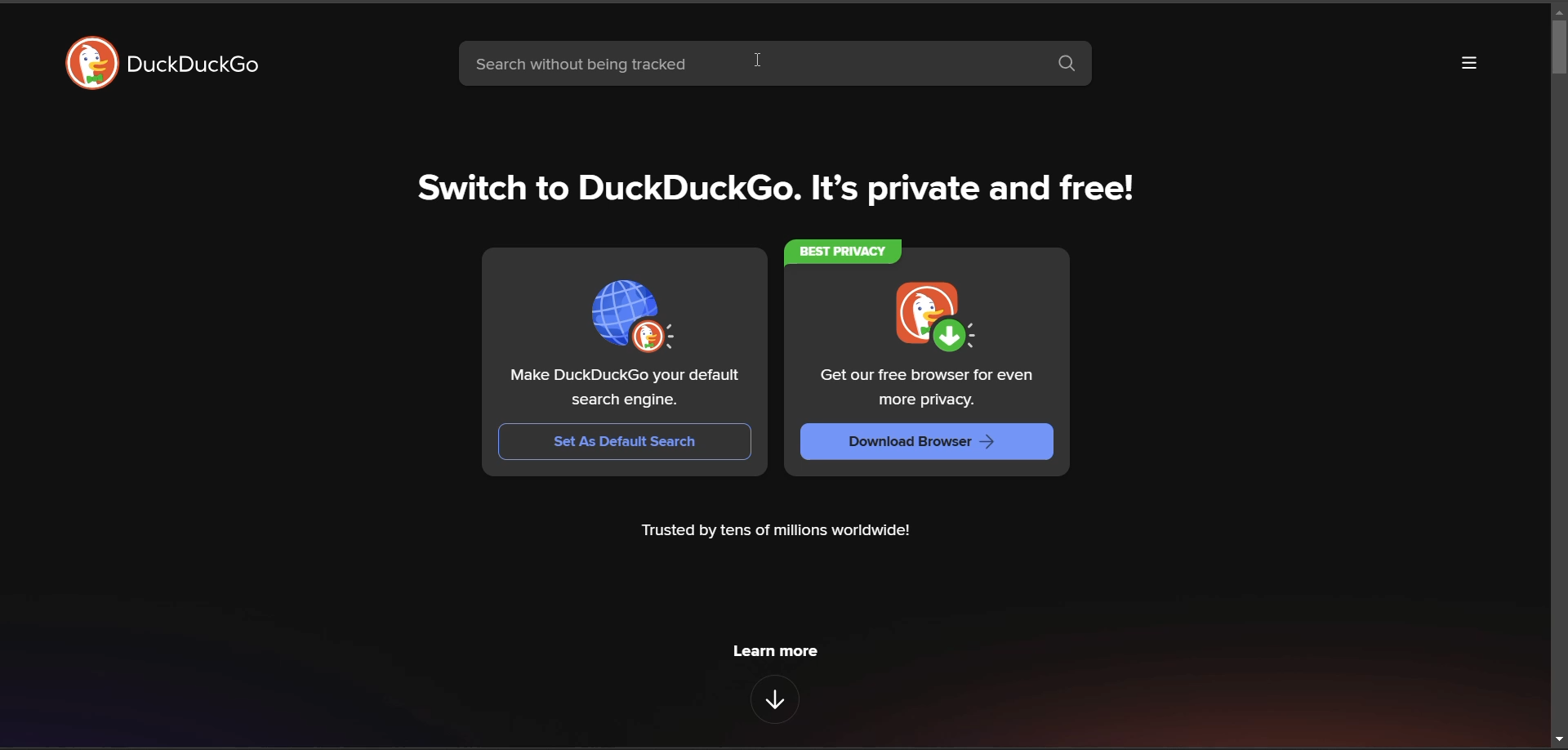 The height and width of the screenshot is (750, 1568). What do you see at coordinates (777, 192) in the screenshot?
I see `Switch to DuckDuckGo. It's private and free!` at bounding box center [777, 192].